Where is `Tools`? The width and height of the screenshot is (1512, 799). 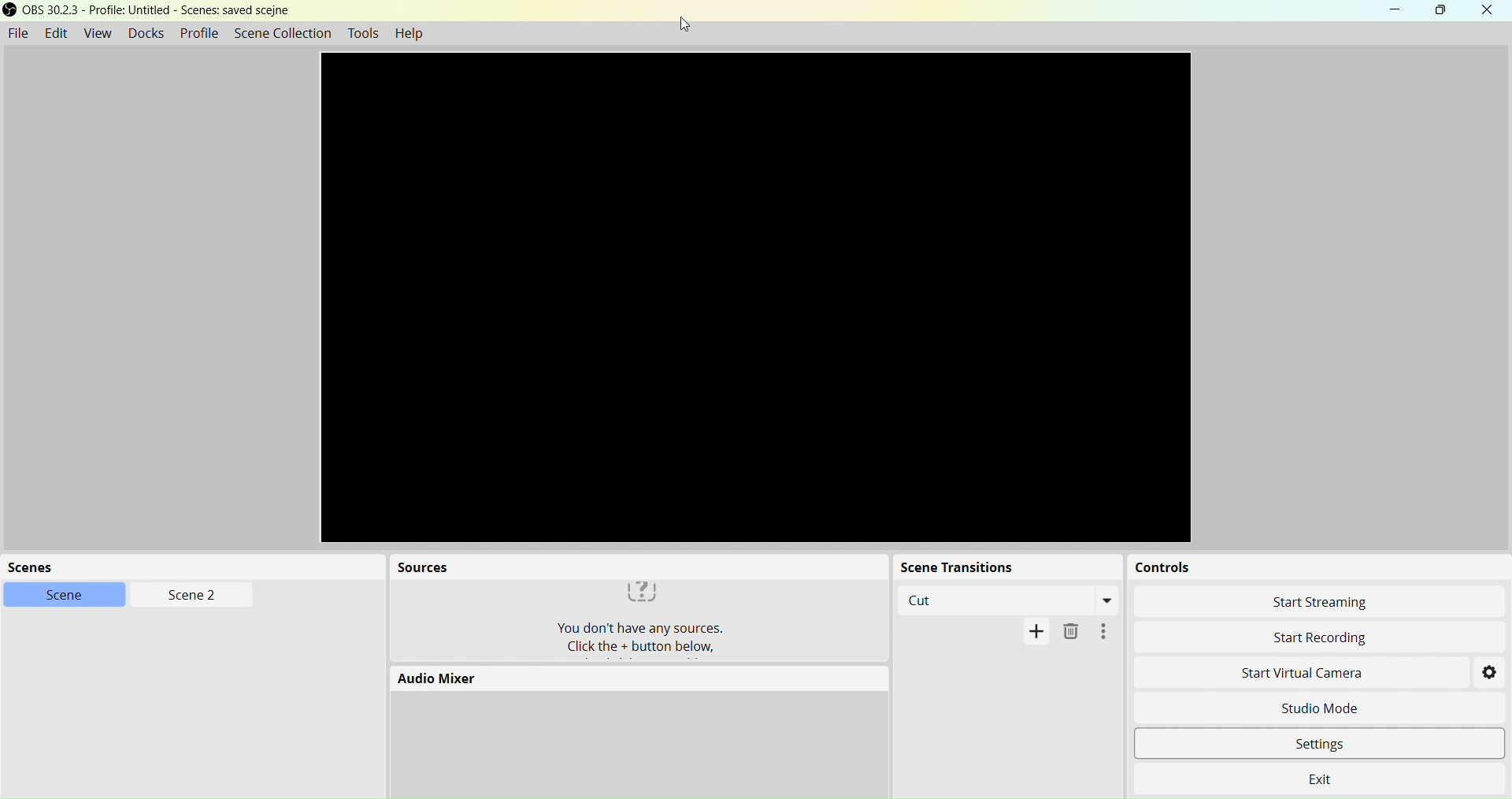
Tools is located at coordinates (361, 34).